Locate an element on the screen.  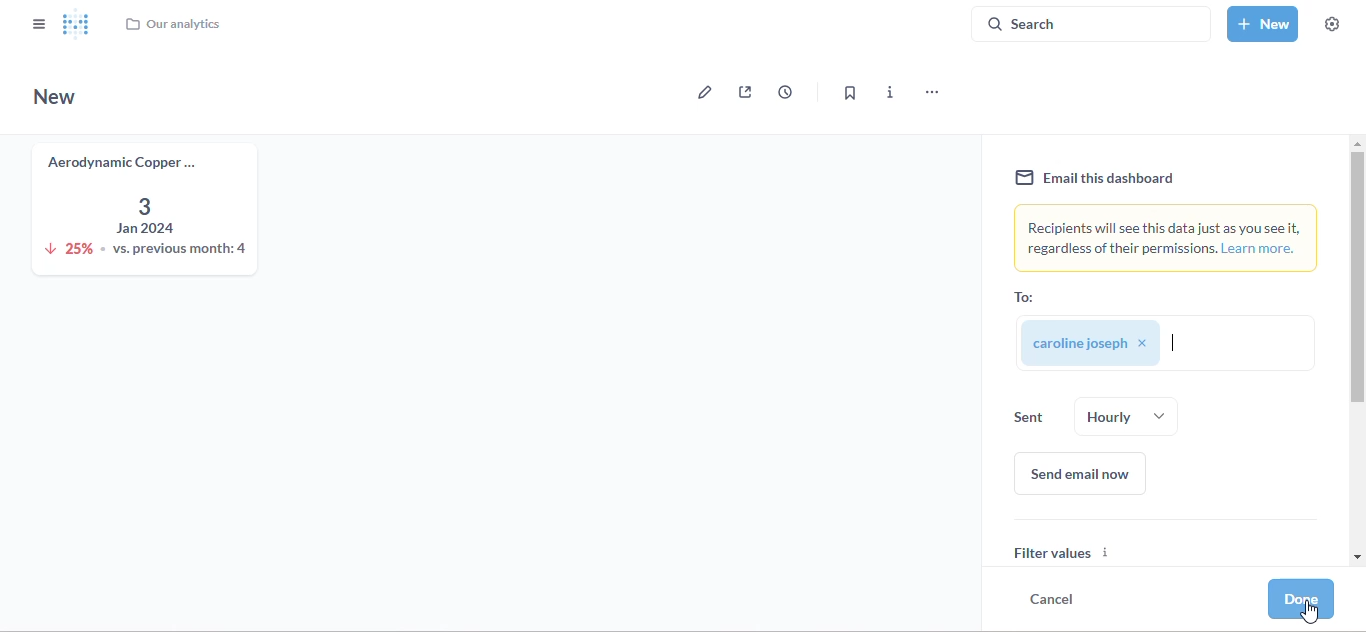
sharing is located at coordinates (745, 92).